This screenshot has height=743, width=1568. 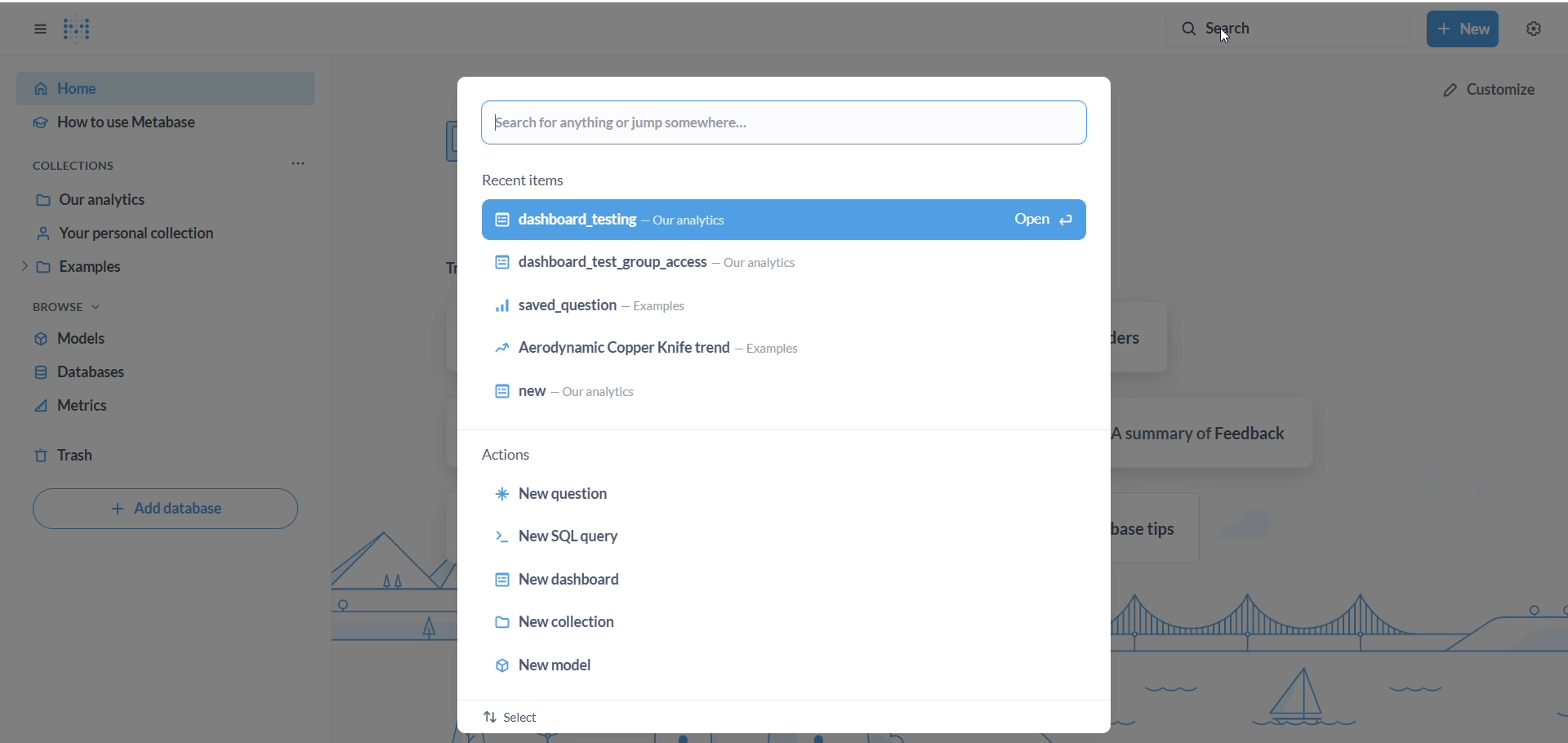 What do you see at coordinates (167, 233) in the screenshot?
I see `your personal collection` at bounding box center [167, 233].